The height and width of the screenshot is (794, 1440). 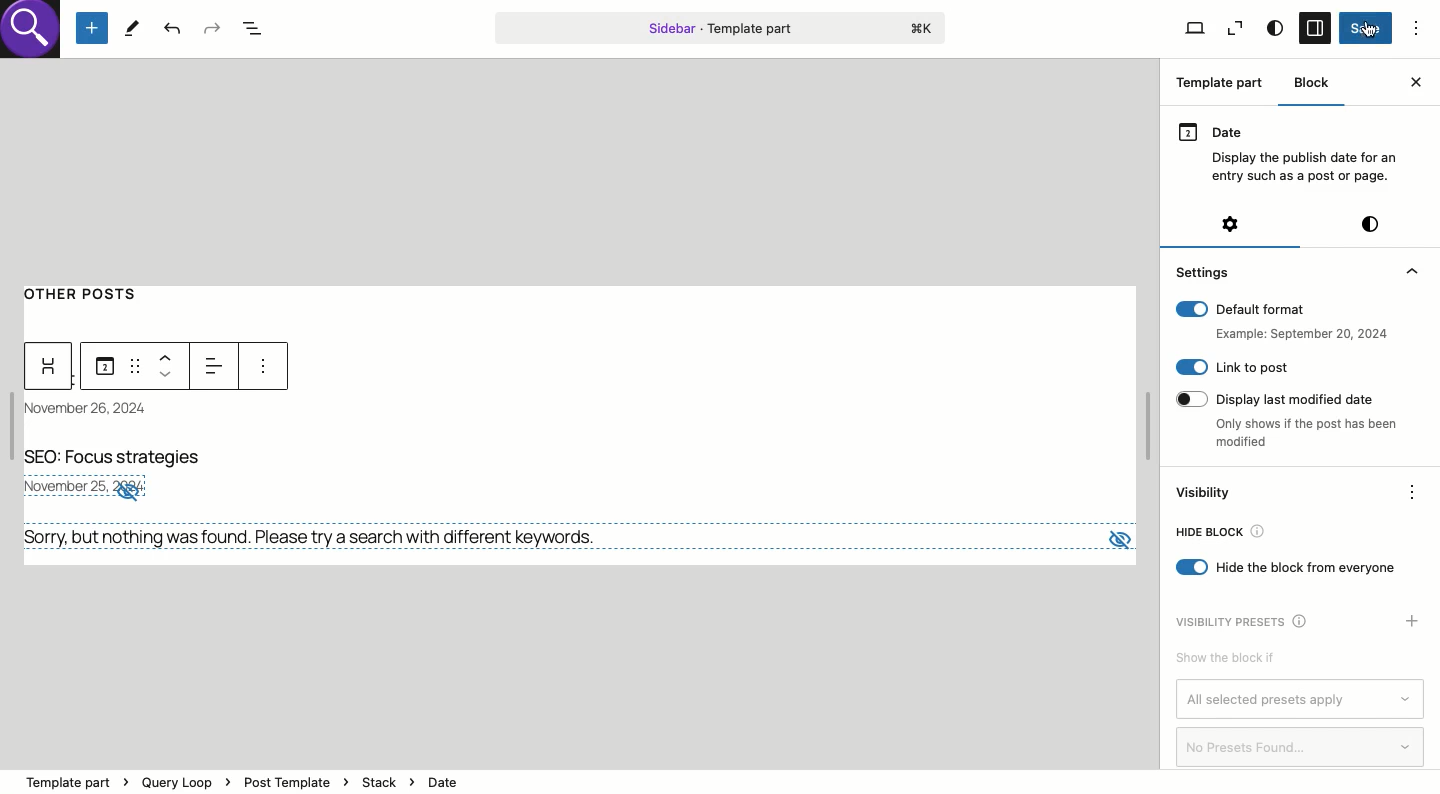 What do you see at coordinates (121, 459) in the screenshot?
I see `Title` at bounding box center [121, 459].